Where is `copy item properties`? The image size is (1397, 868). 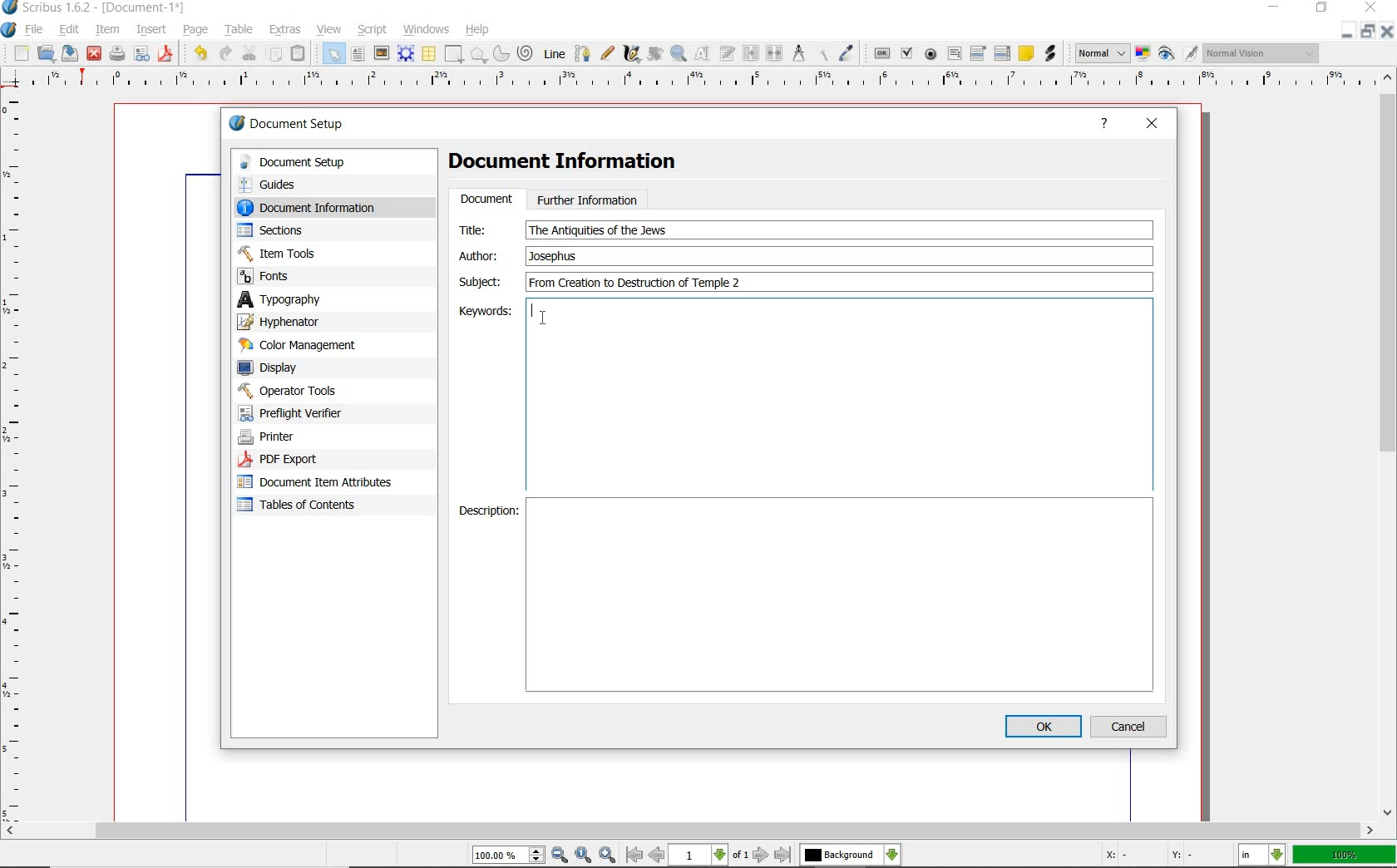 copy item properties is located at coordinates (821, 54).